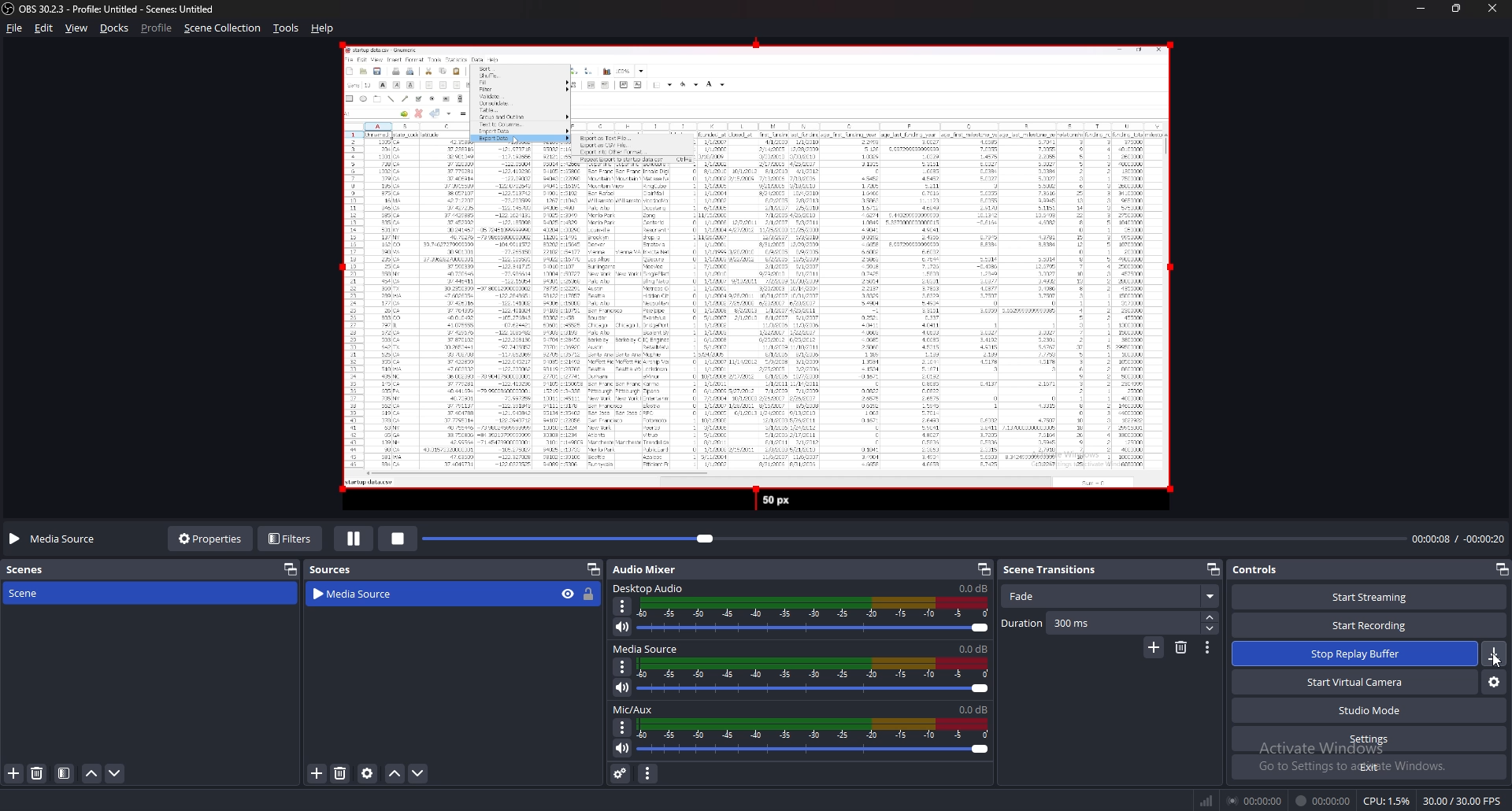 The image size is (1512, 811). I want to click on pop out, so click(1214, 568).